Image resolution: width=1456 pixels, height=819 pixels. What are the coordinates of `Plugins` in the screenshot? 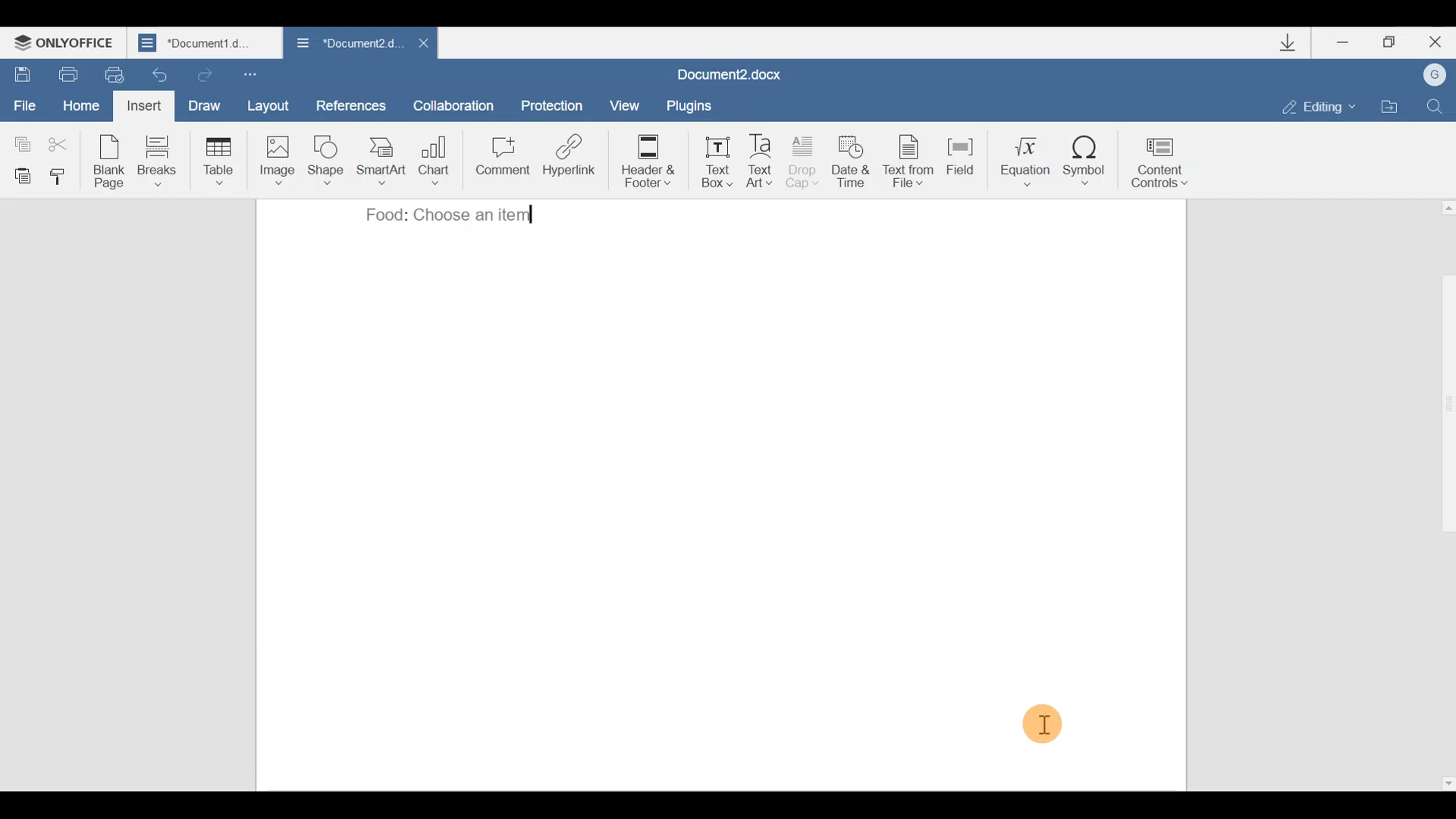 It's located at (701, 103).